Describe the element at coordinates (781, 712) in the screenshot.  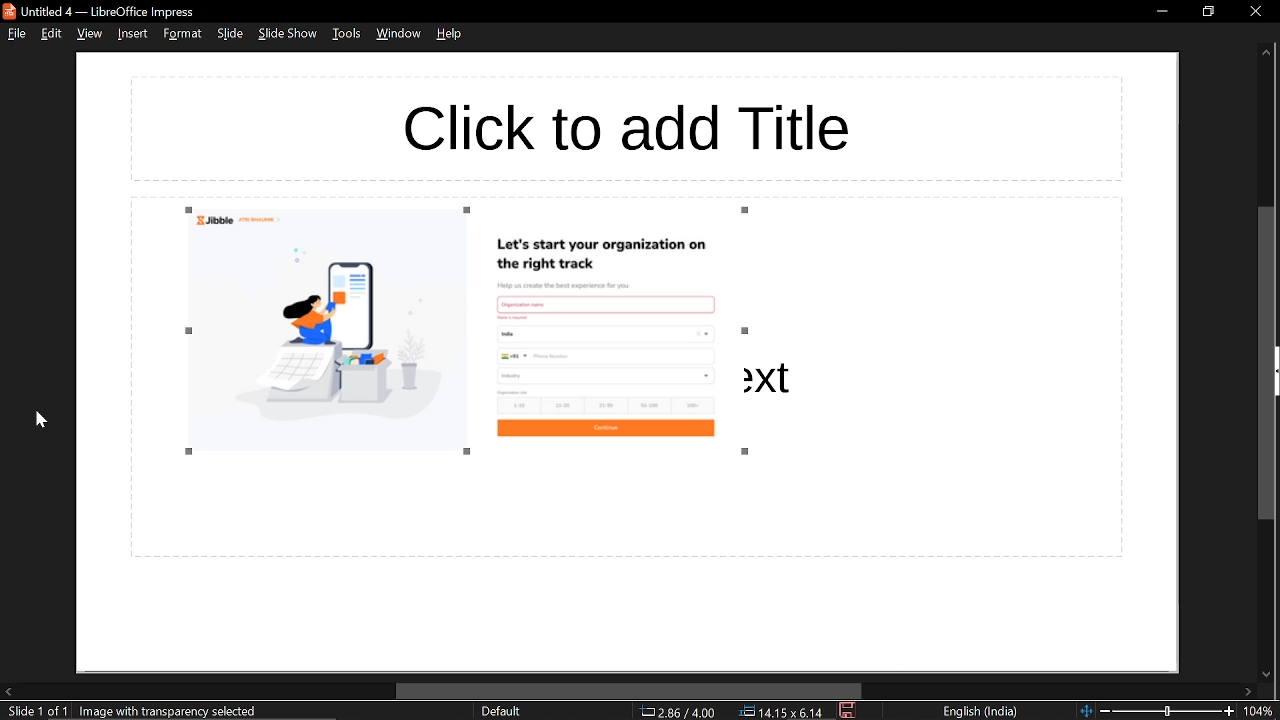
I see `position` at that location.